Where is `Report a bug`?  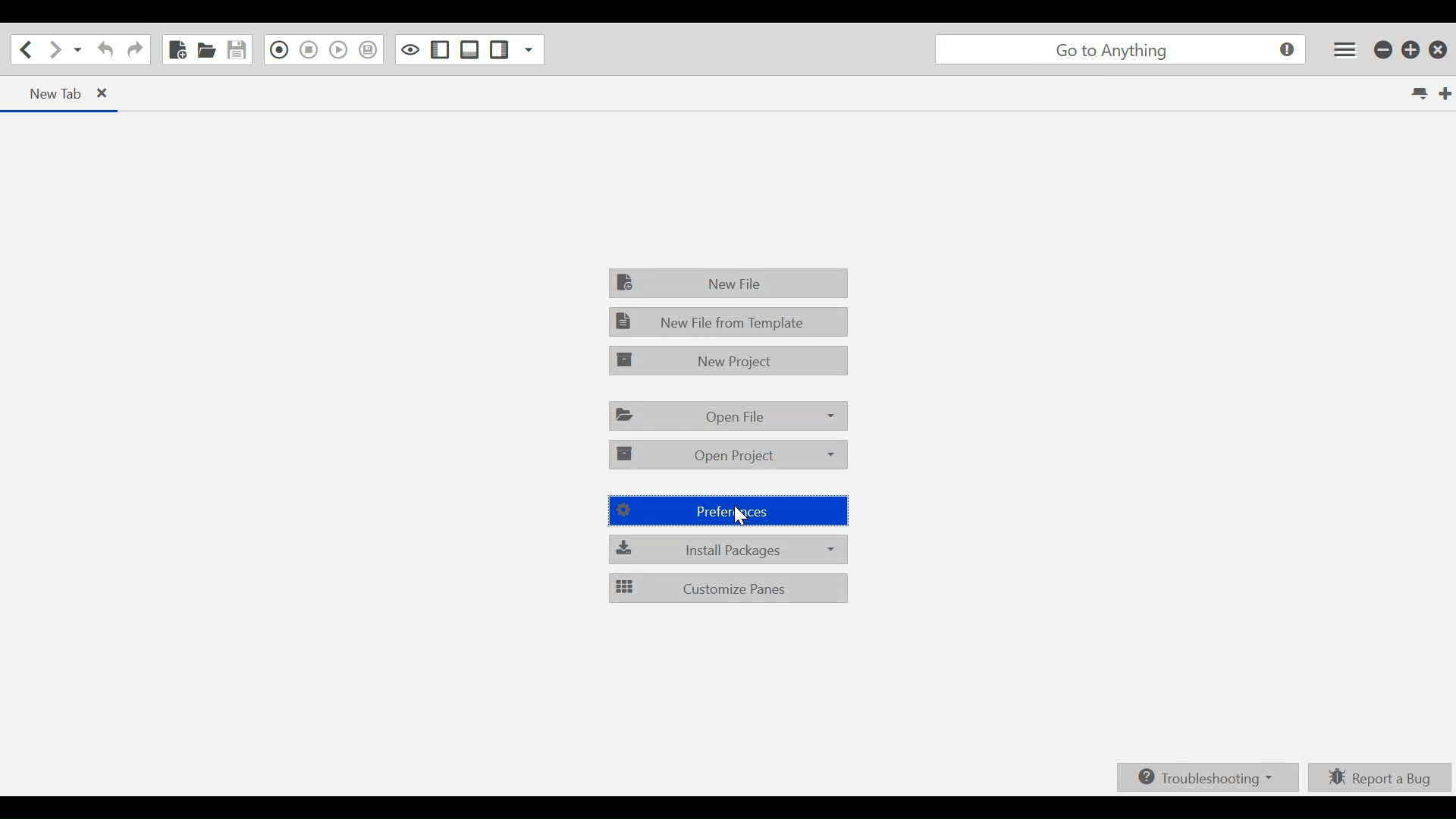 Report a bug is located at coordinates (1377, 778).